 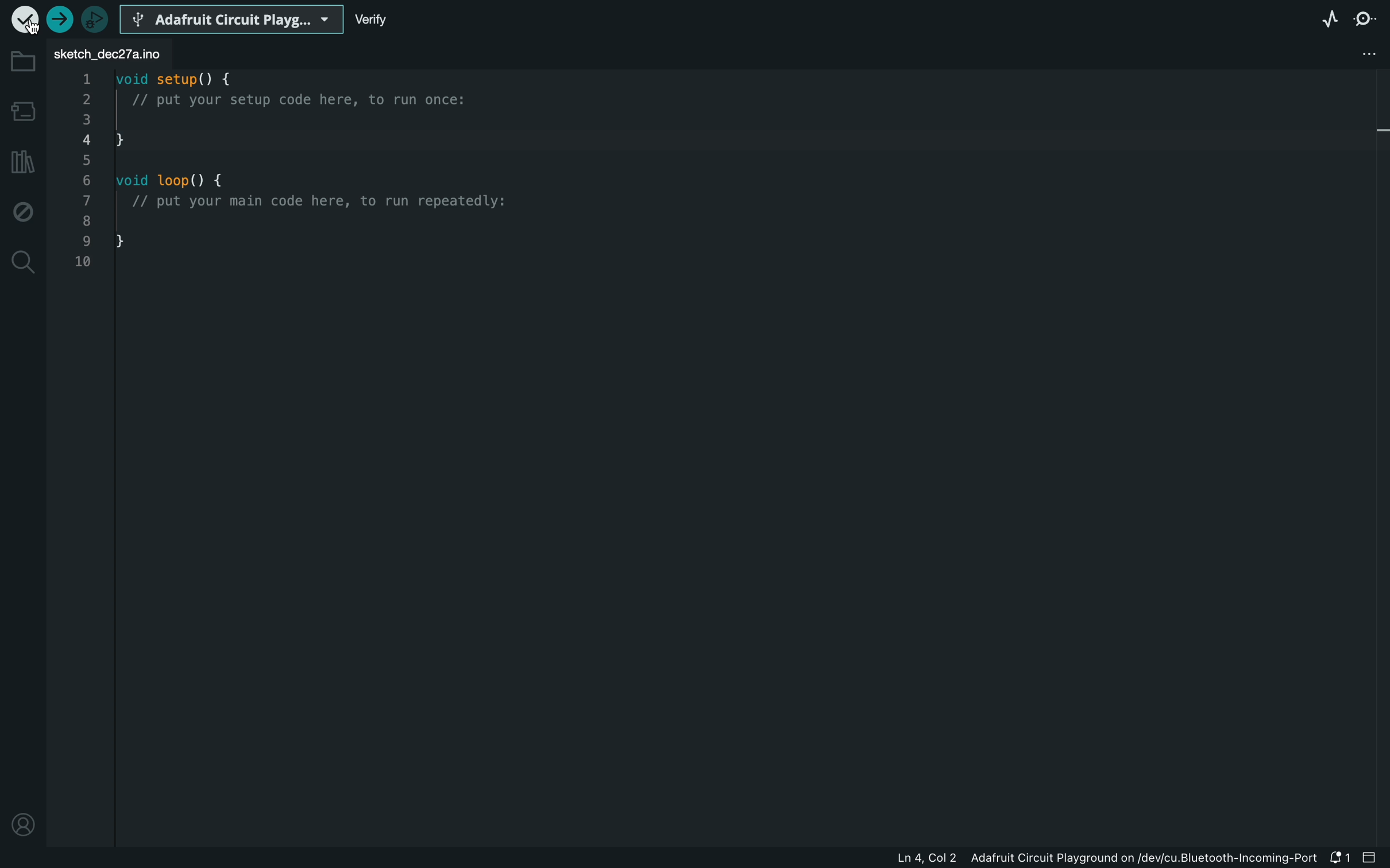 What do you see at coordinates (230, 22) in the screenshot?
I see `board selecter` at bounding box center [230, 22].